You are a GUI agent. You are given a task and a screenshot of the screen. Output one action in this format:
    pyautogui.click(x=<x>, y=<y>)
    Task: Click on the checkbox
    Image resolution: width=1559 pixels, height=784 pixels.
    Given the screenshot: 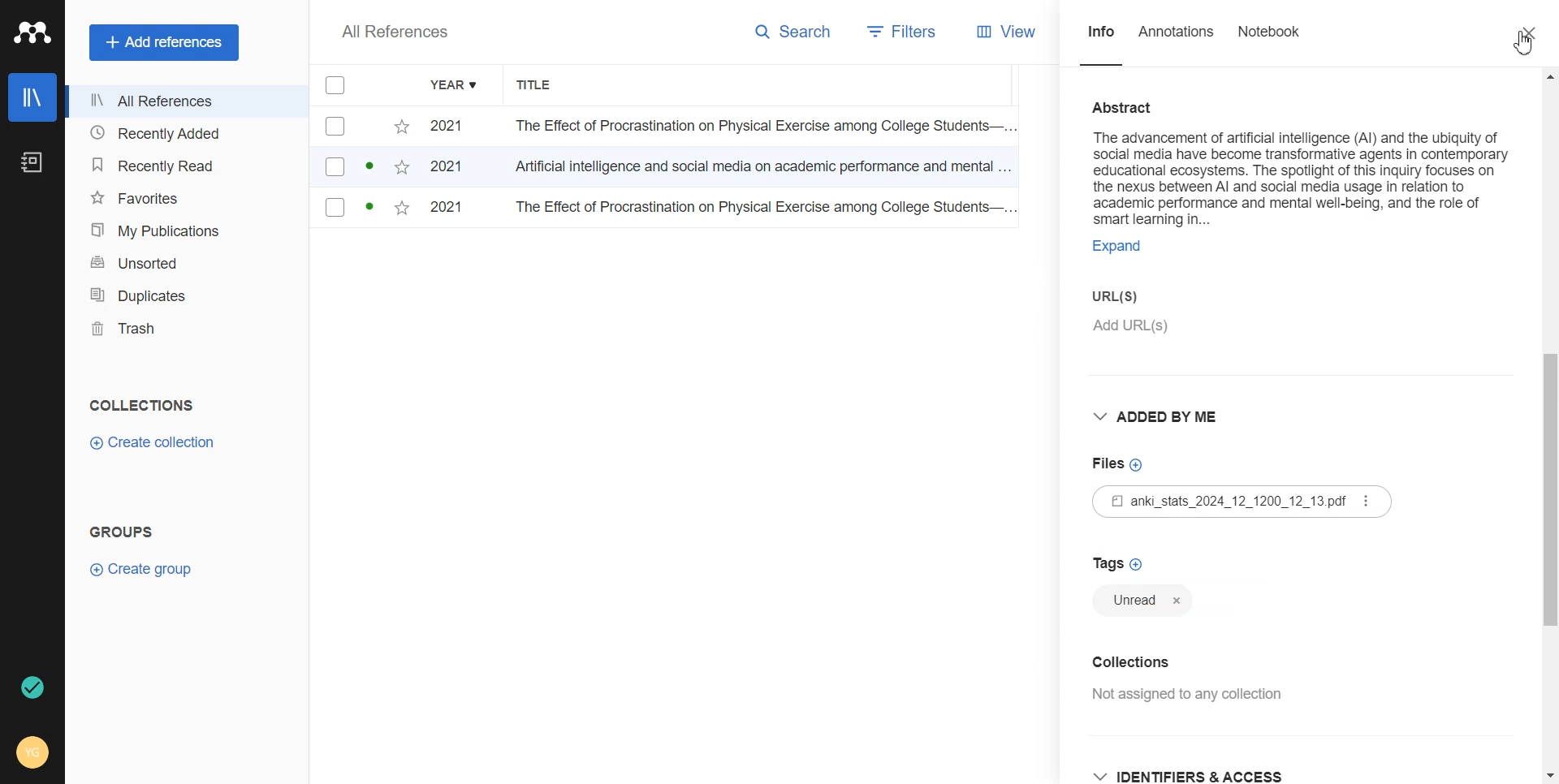 What is the action you would take?
    pyautogui.click(x=362, y=210)
    